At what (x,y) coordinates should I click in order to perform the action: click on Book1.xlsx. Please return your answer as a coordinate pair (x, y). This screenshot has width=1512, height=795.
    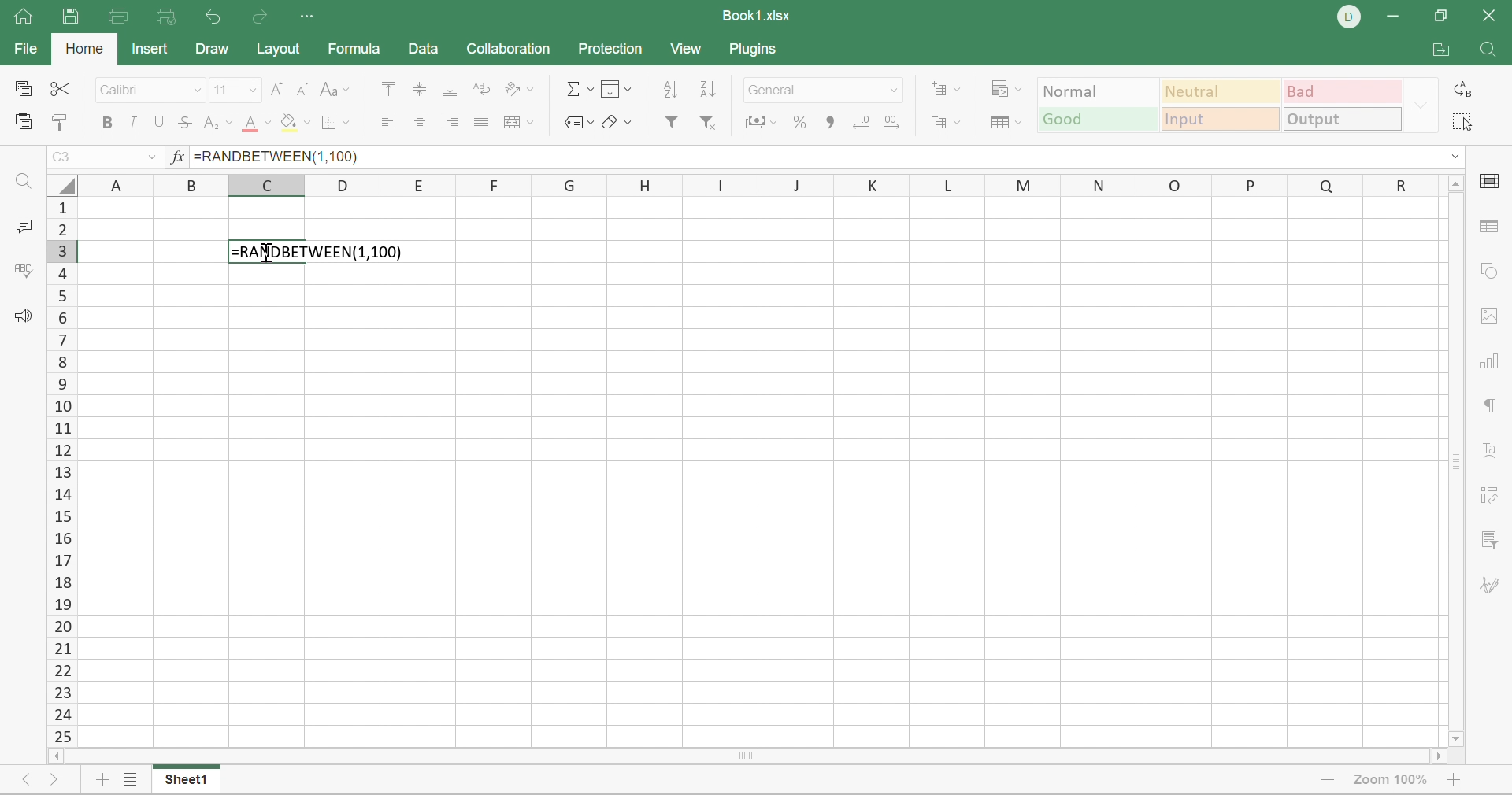
    Looking at the image, I should click on (757, 14).